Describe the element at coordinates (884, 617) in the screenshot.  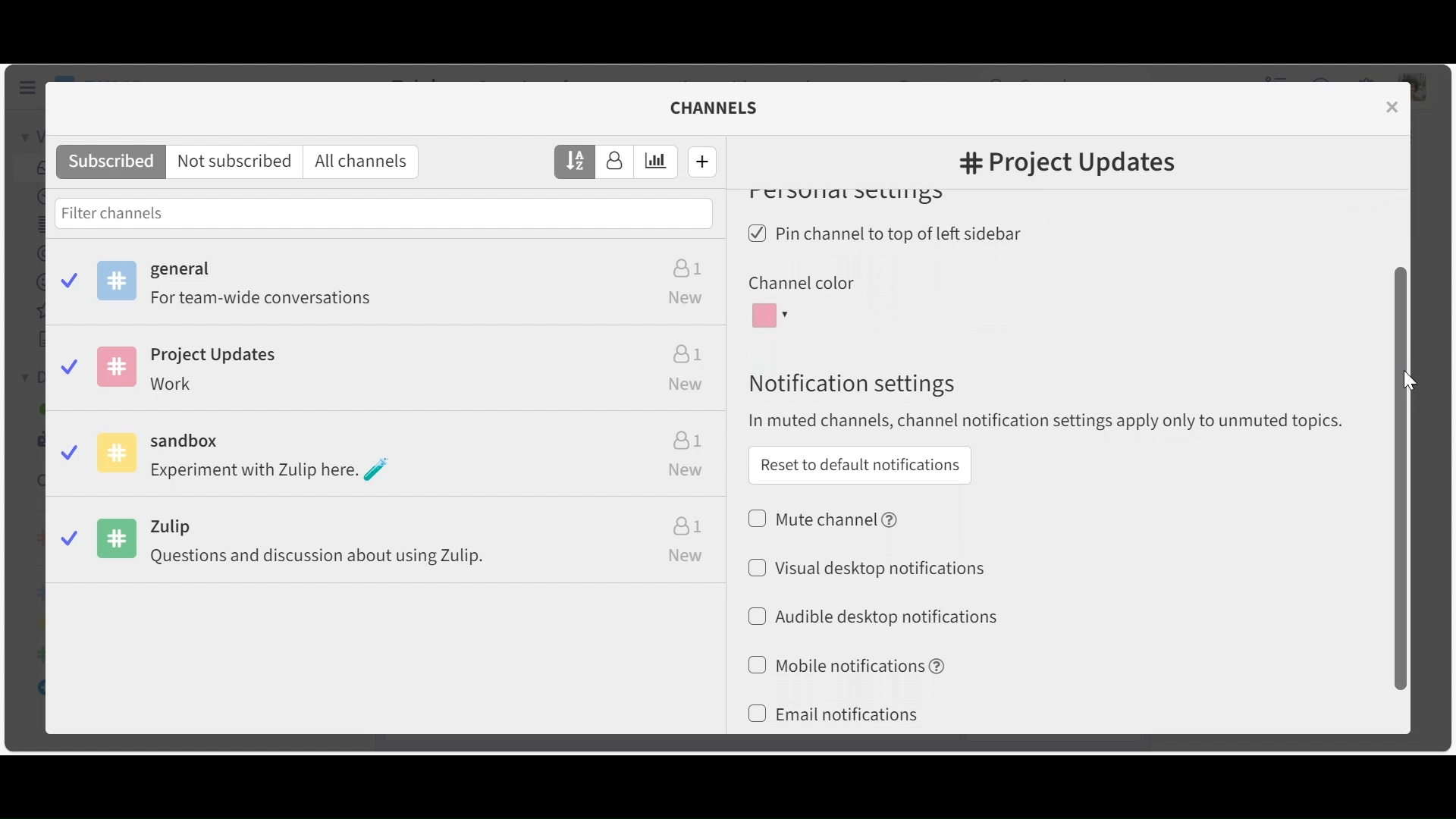
I see `Audible desktop notifications` at that location.